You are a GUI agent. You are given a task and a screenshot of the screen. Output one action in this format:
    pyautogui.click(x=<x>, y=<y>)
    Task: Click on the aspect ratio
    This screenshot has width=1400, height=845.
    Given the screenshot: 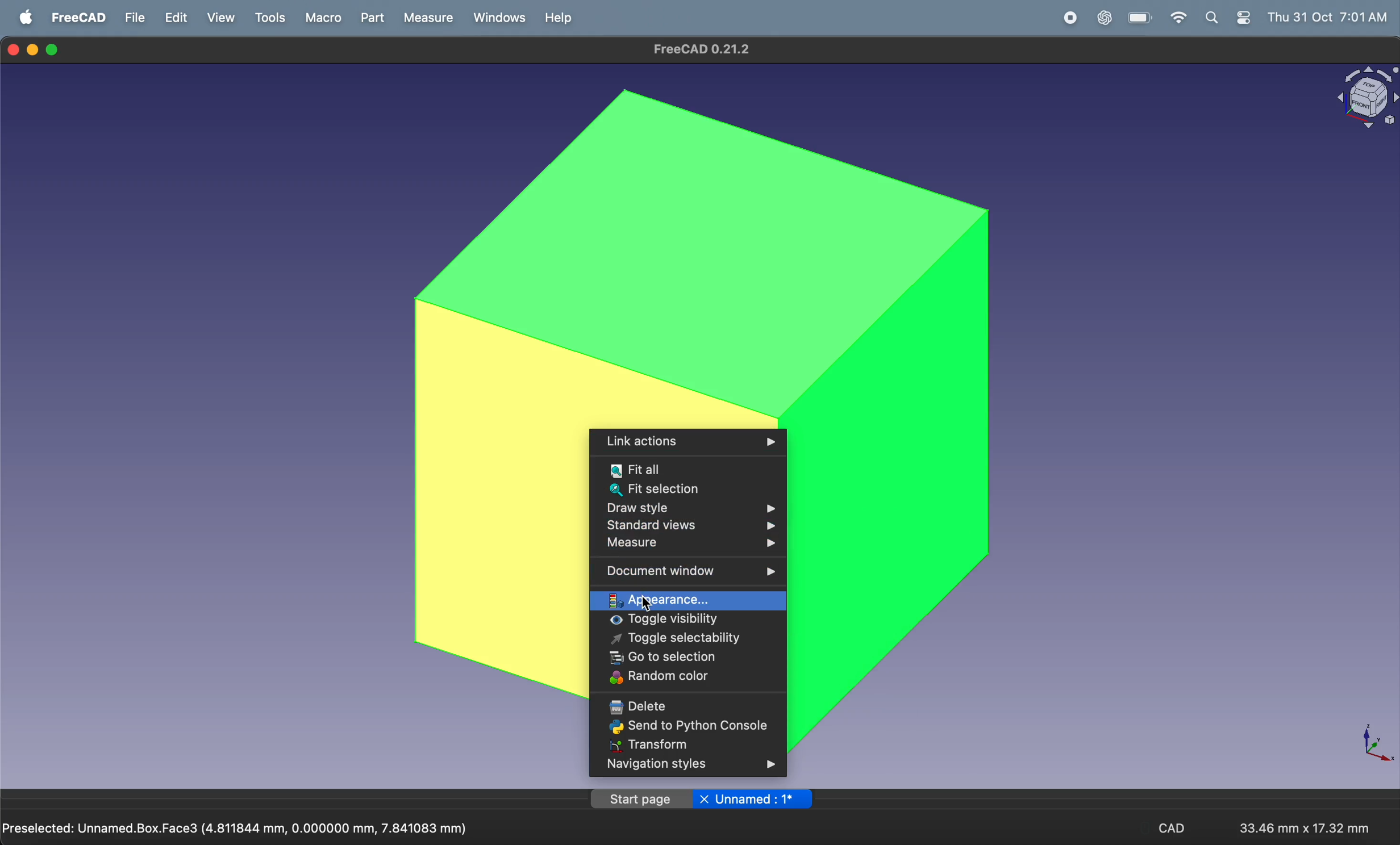 What is the action you would take?
    pyautogui.click(x=1301, y=823)
    